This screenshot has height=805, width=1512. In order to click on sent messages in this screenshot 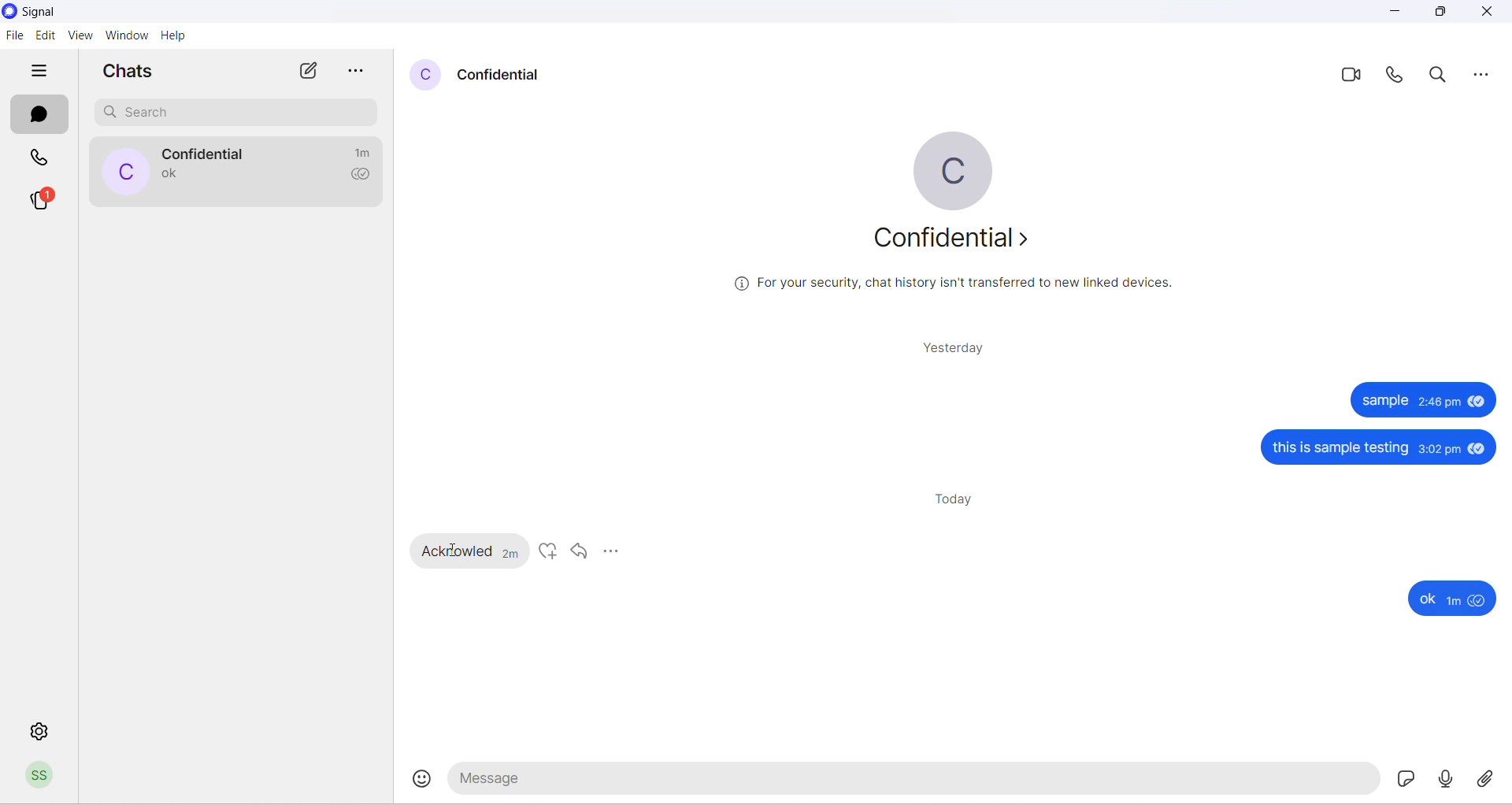, I will do `click(1381, 492)`.